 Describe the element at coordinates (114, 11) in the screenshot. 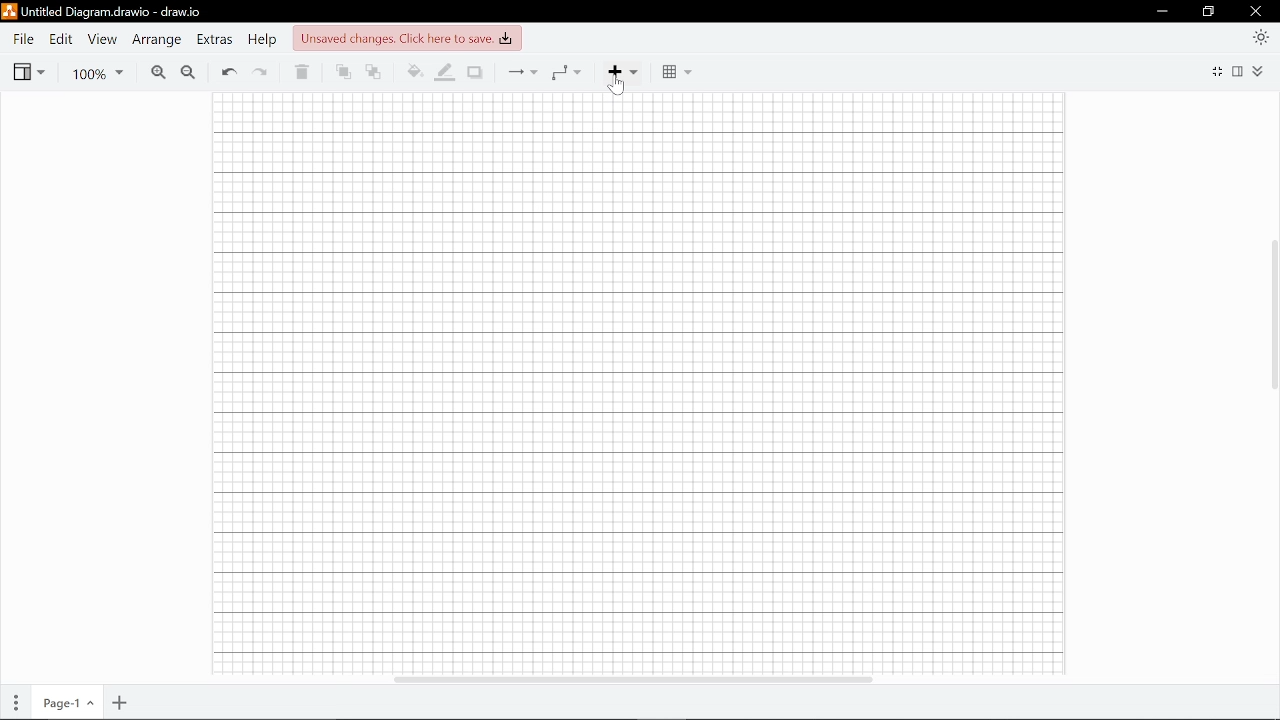

I see `untitled diagram.drawio-draw.io` at that location.